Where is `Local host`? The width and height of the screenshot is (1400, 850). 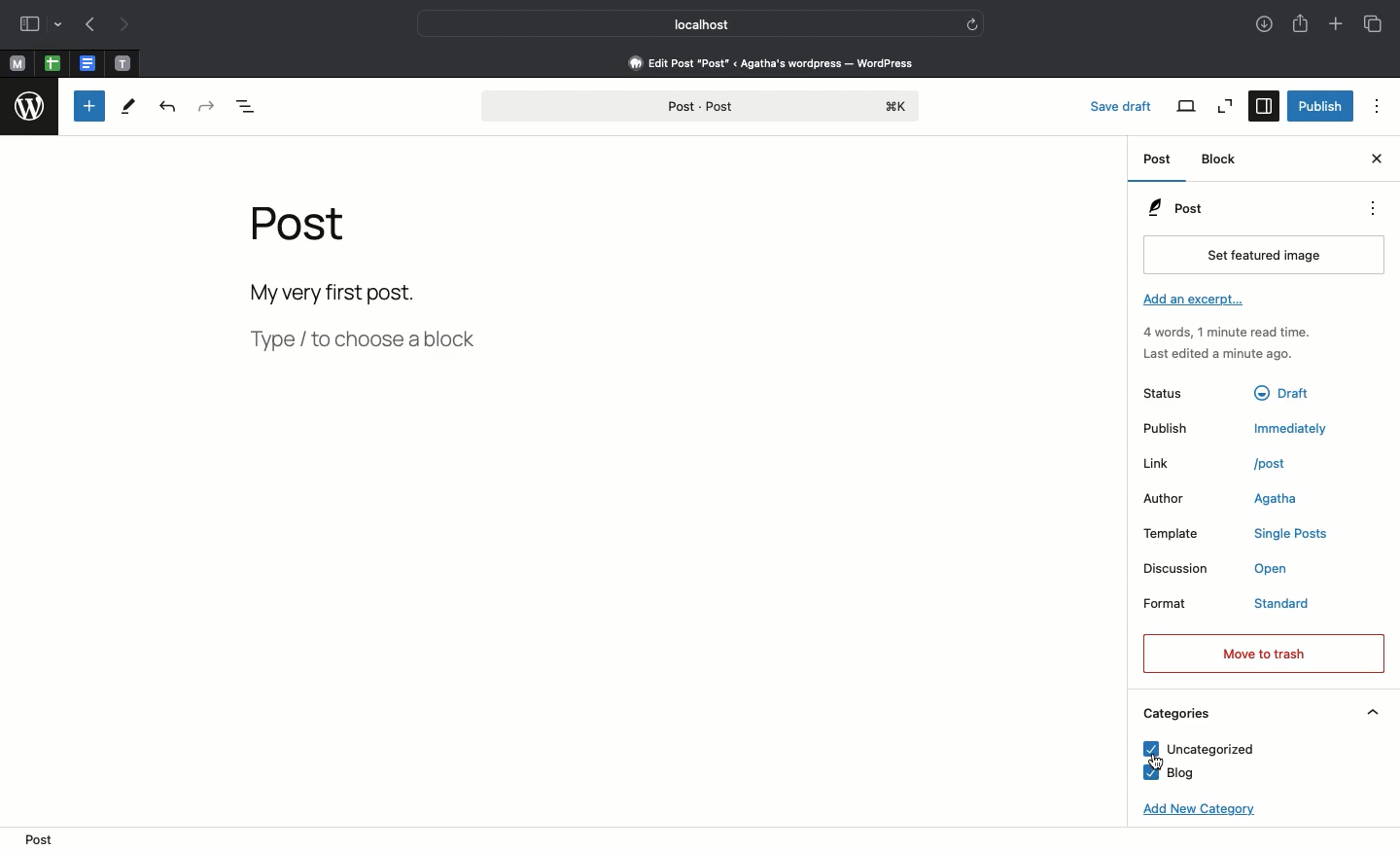
Local host is located at coordinates (688, 23).